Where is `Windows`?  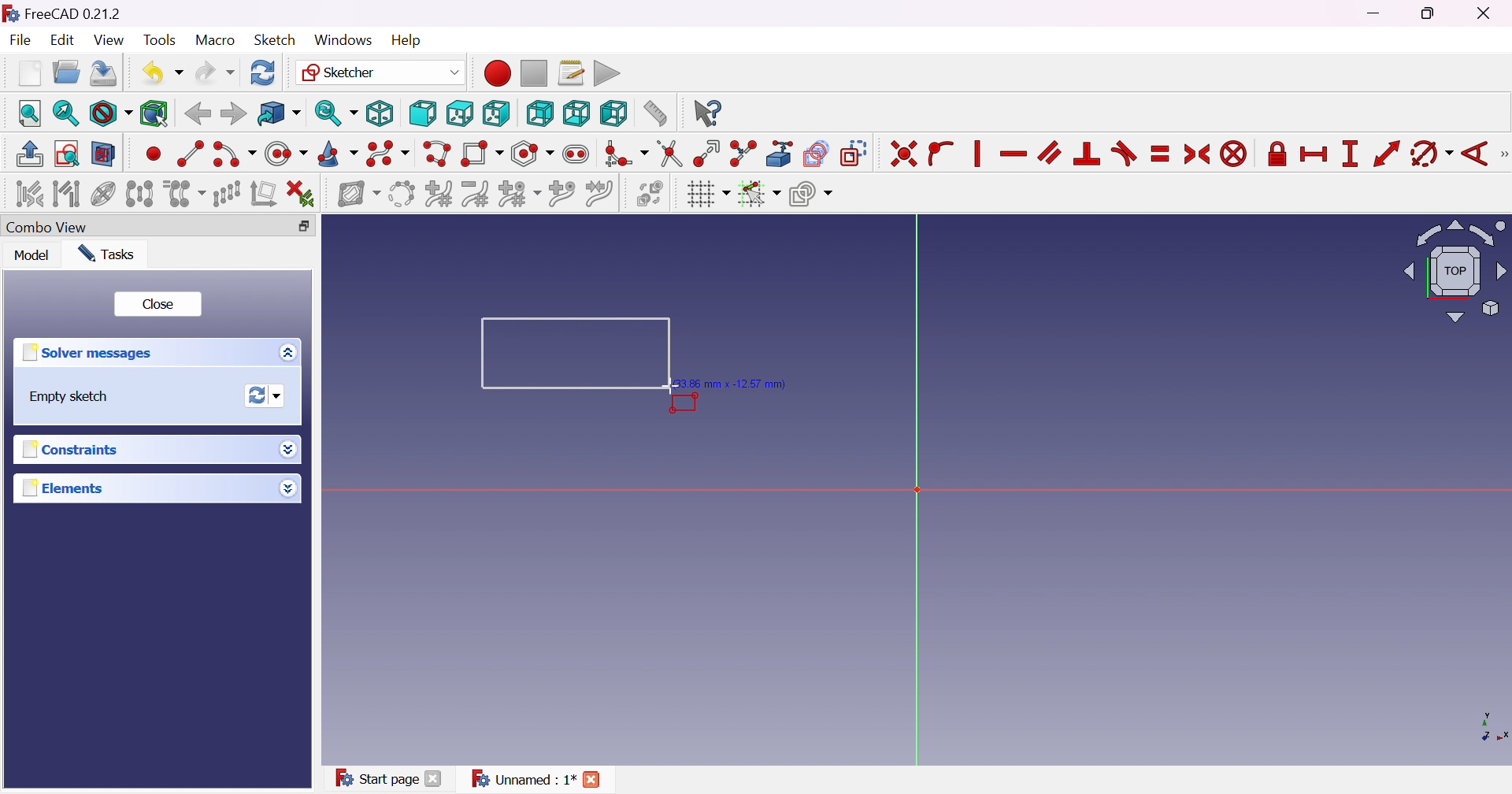 Windows is located at coordinates (343, 40).